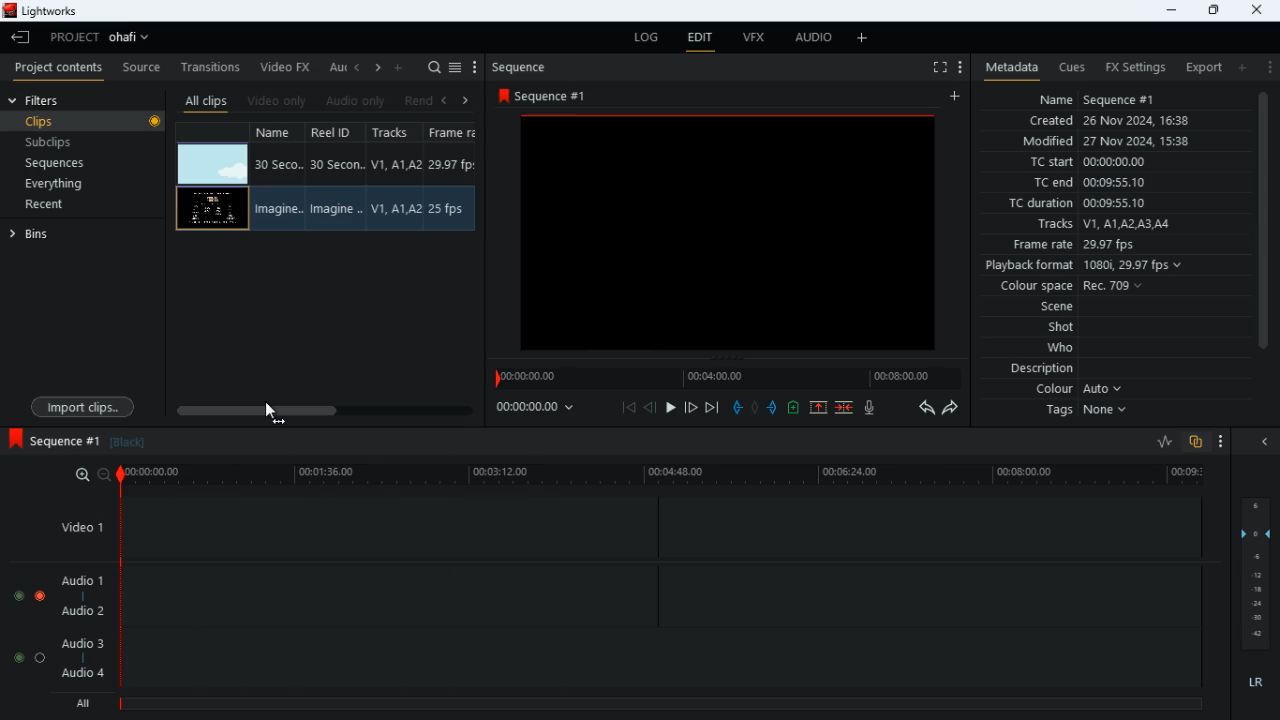 Image resolution: width=1280 pixels, height=720 pixels. What do you see at coordinates (447, 100) in the screenshot?
I see `left` at bounding box center [447, 100].